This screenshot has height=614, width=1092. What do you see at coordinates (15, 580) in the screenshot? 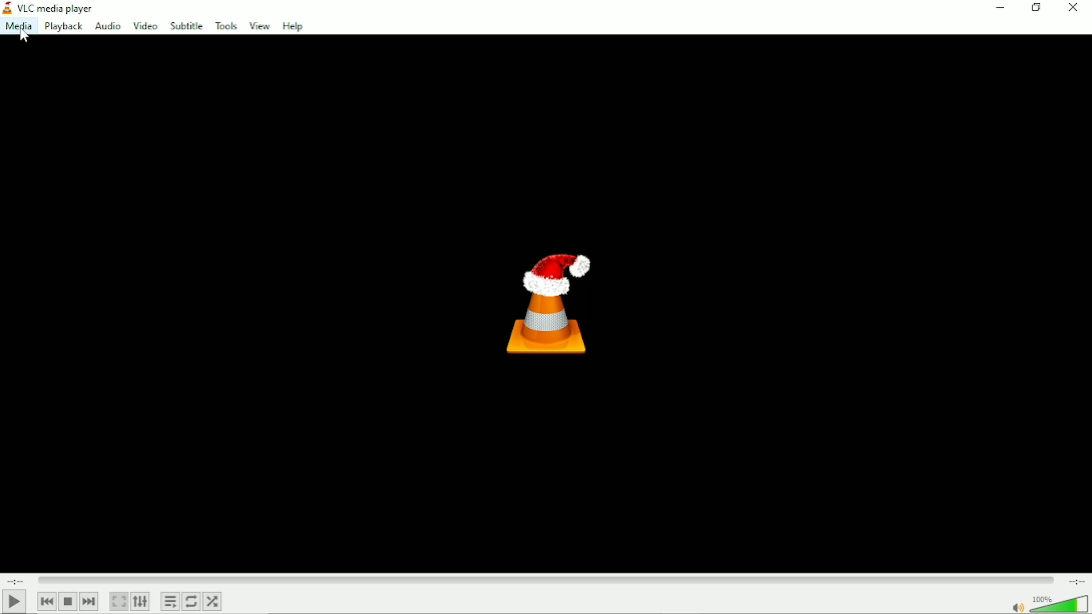
I see `Elapsed time` at bounding box center [15, 580].